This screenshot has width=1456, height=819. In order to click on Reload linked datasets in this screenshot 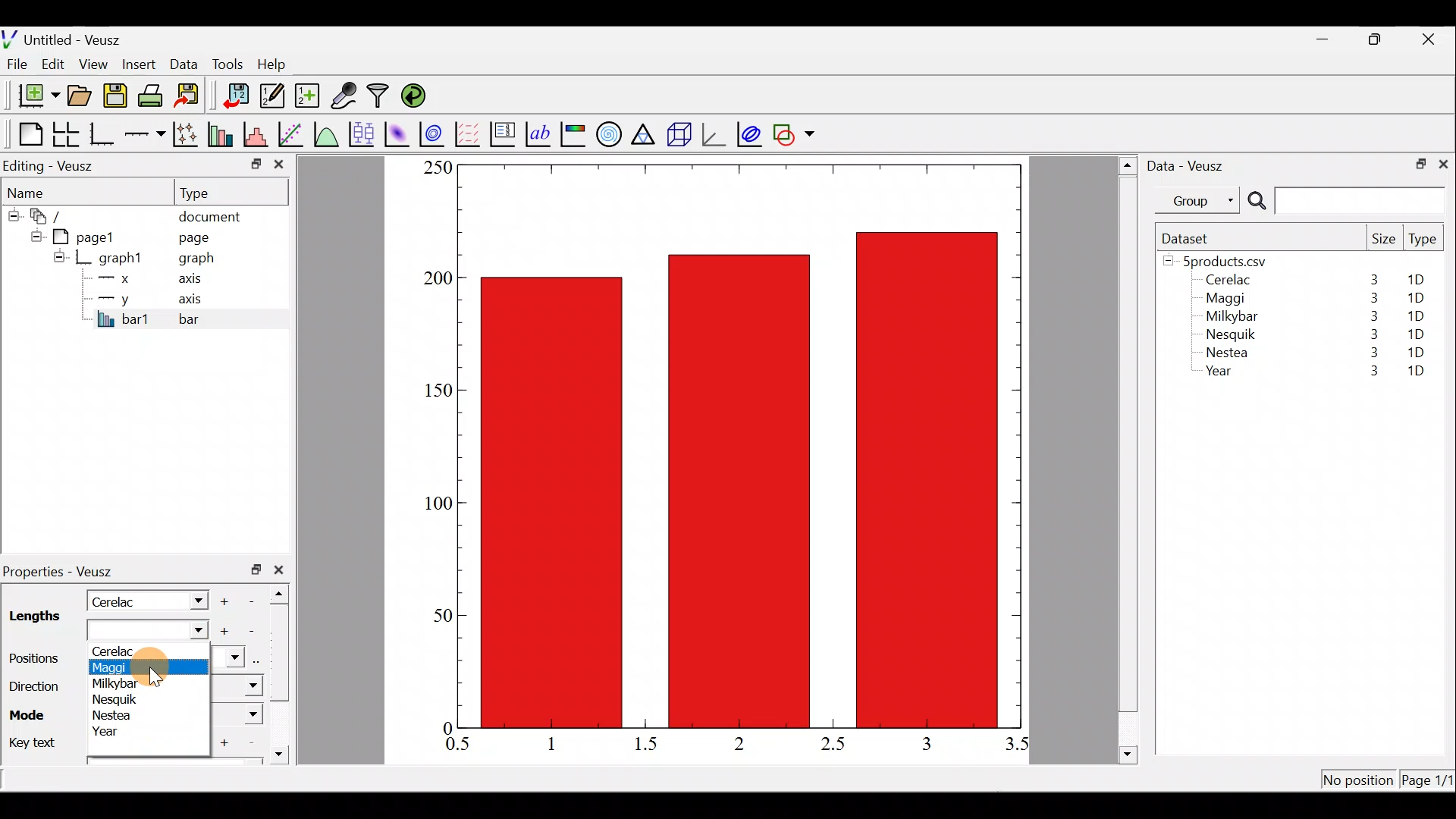, I will do `click(417, 95)`.